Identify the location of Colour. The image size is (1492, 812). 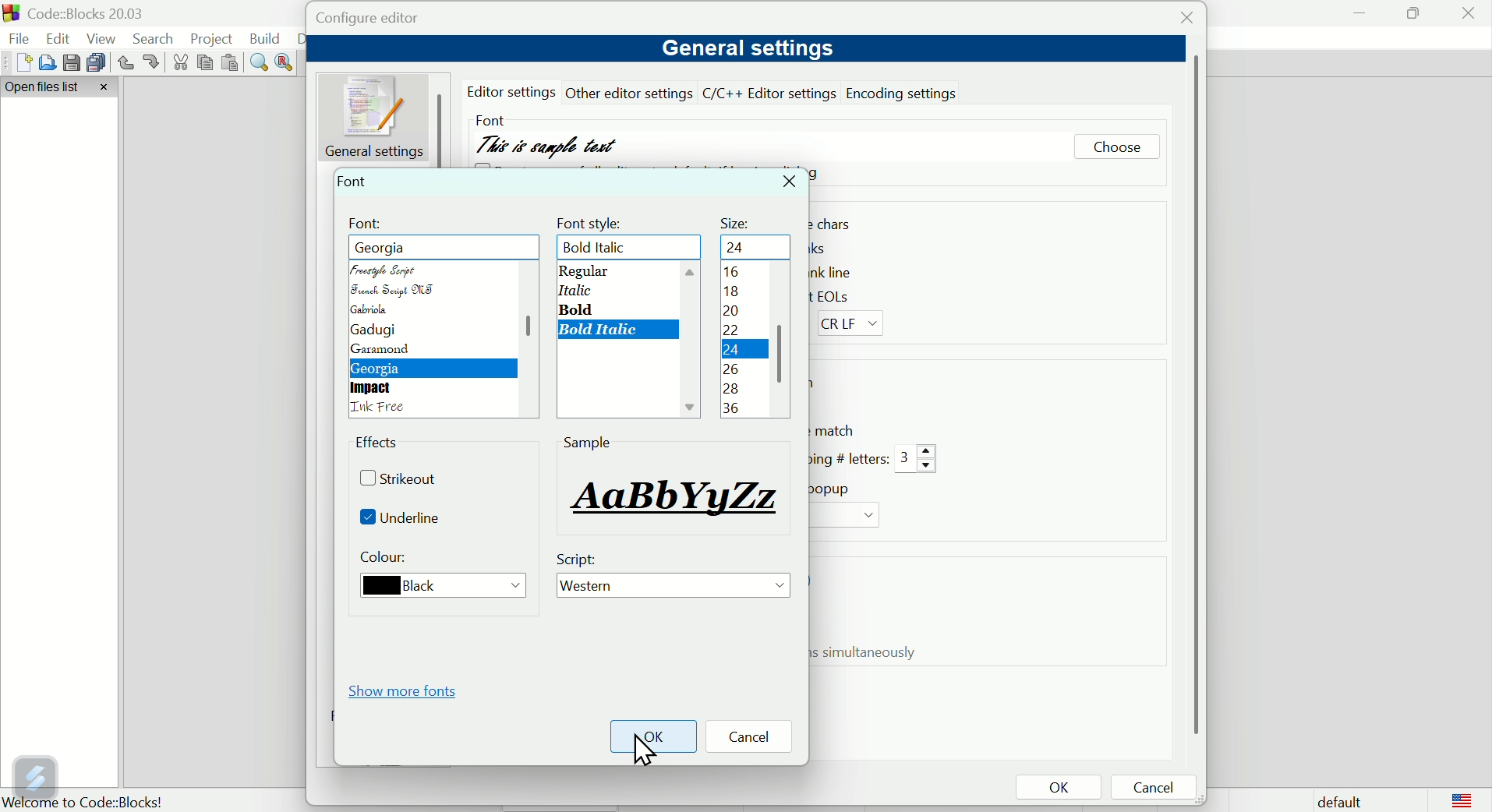
(387, 560).